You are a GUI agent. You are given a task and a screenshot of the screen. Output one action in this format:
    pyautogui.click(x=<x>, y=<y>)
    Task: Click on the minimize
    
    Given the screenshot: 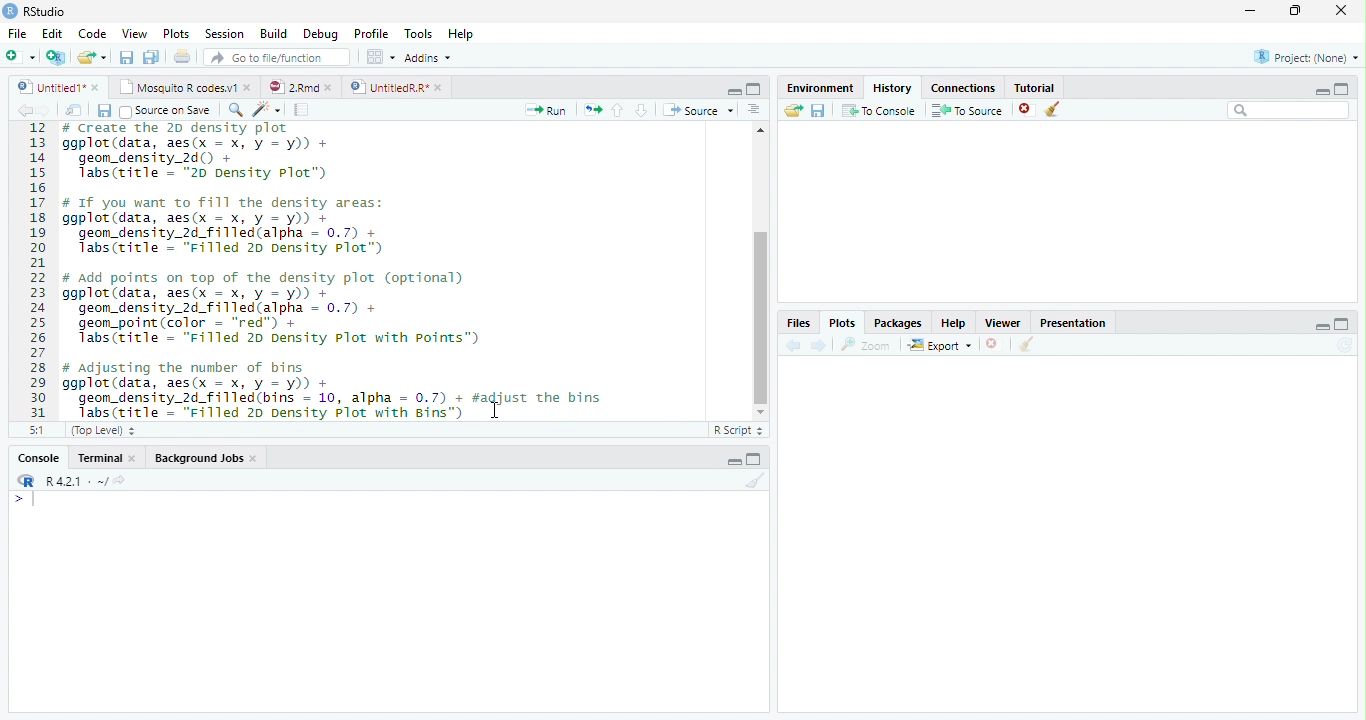 What is the action you would take?
    pyautogui.click(x=734, y=462)
    